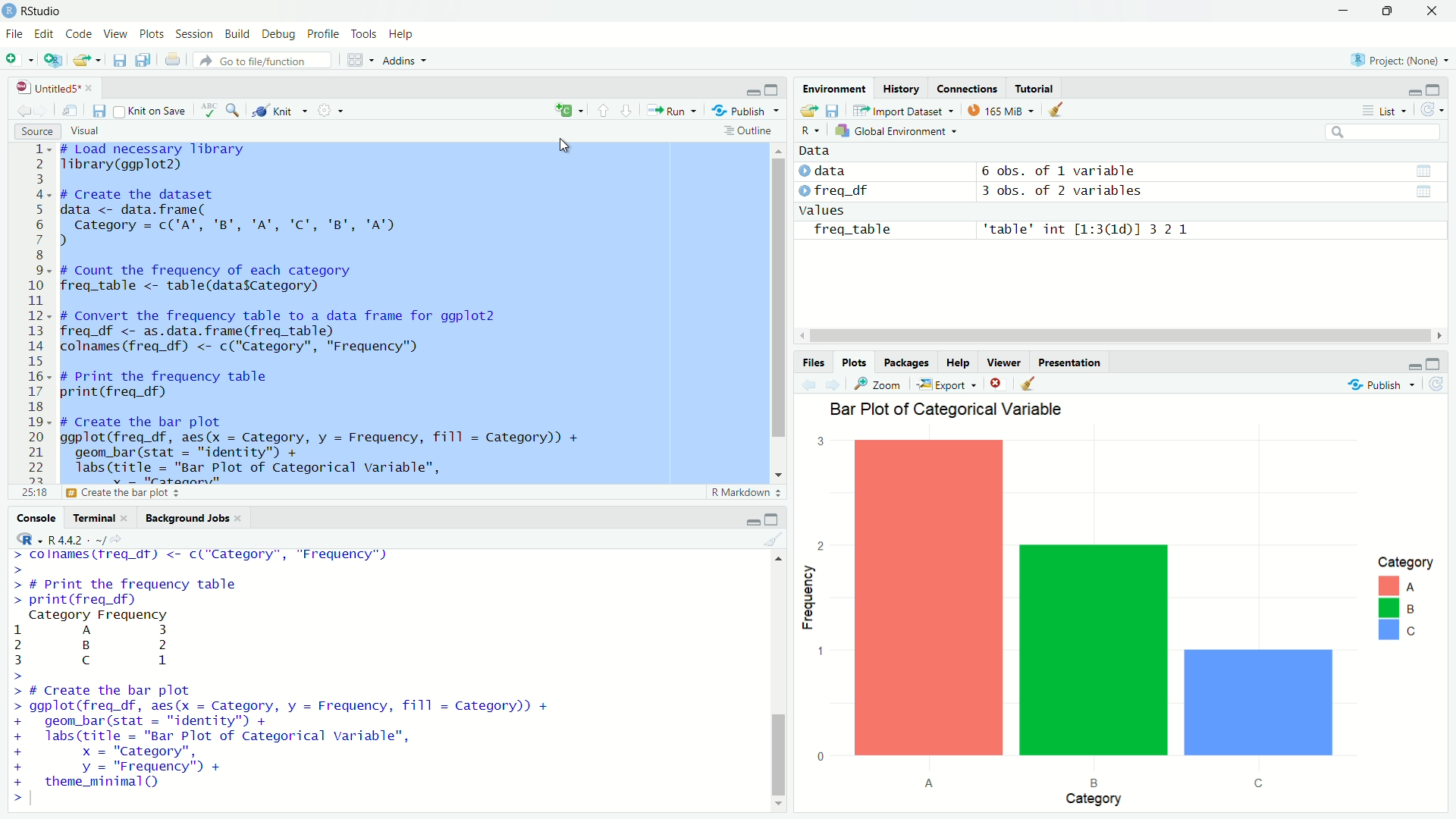 The width and height of the screenshot is (1456, 819). I want to click on open in new window, so click(52, 61).